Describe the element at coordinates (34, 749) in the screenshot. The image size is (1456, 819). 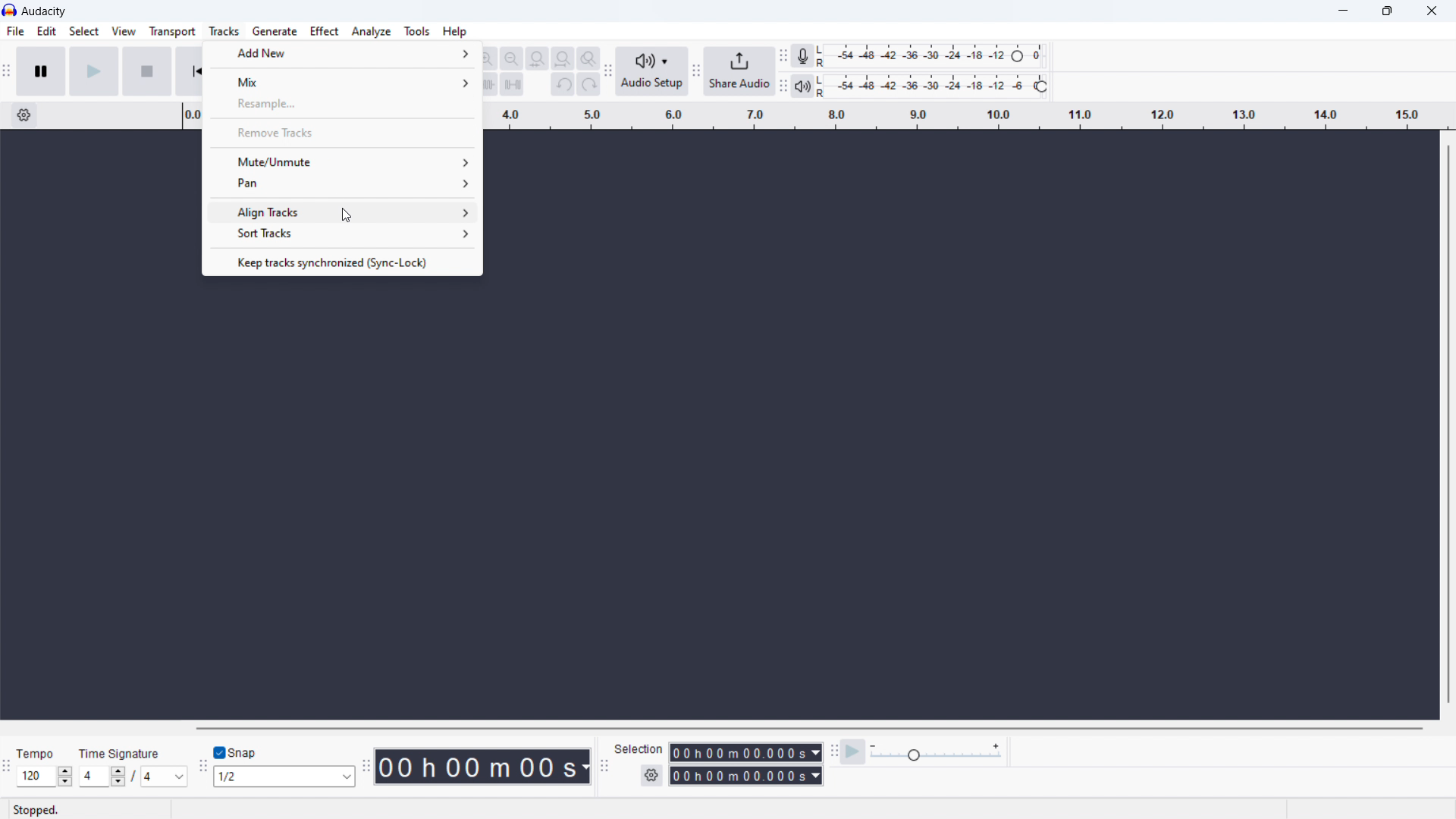
I see `Tempo` at that location.